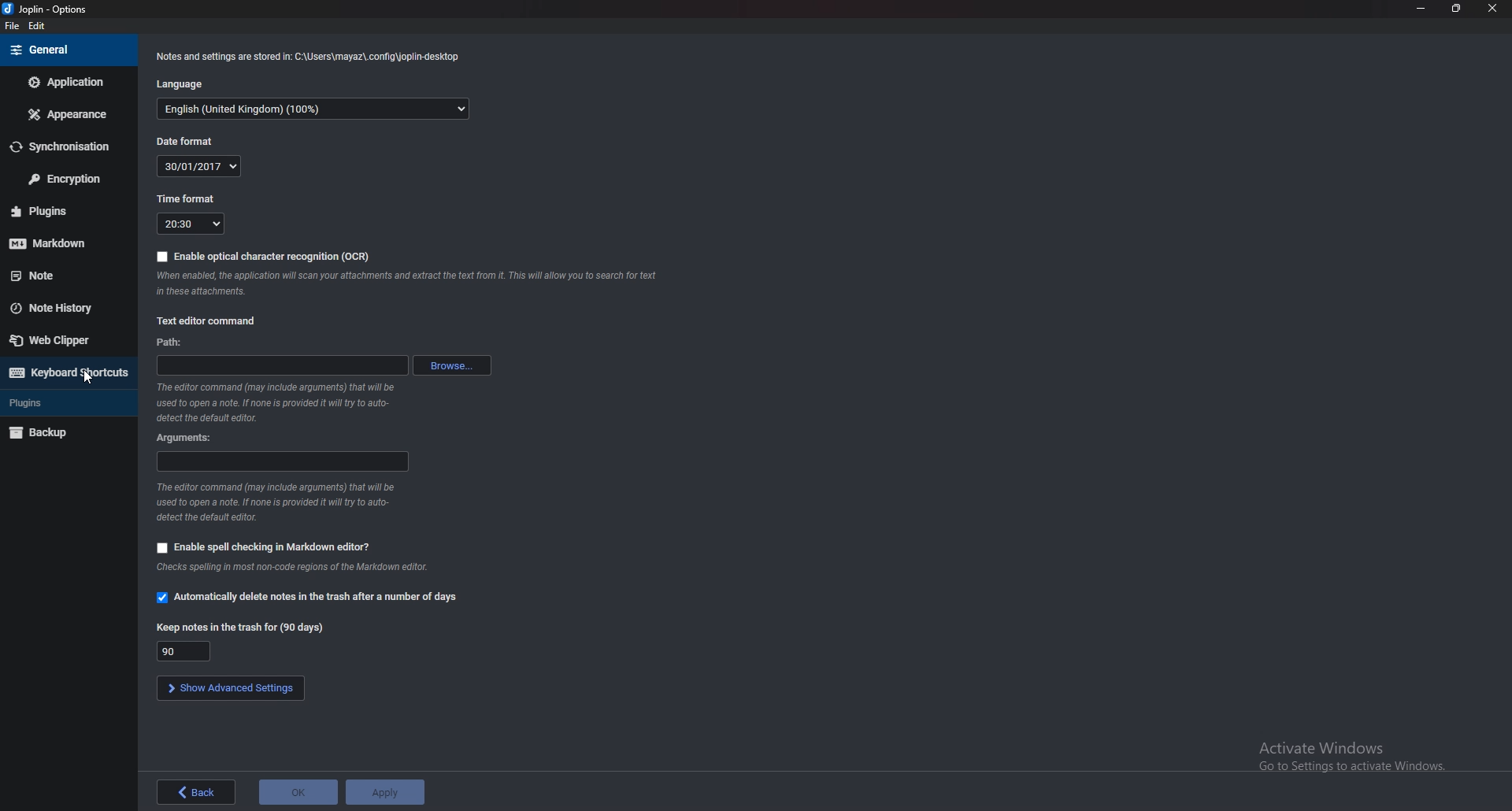  I want to click on Date format, so click(200, 166).